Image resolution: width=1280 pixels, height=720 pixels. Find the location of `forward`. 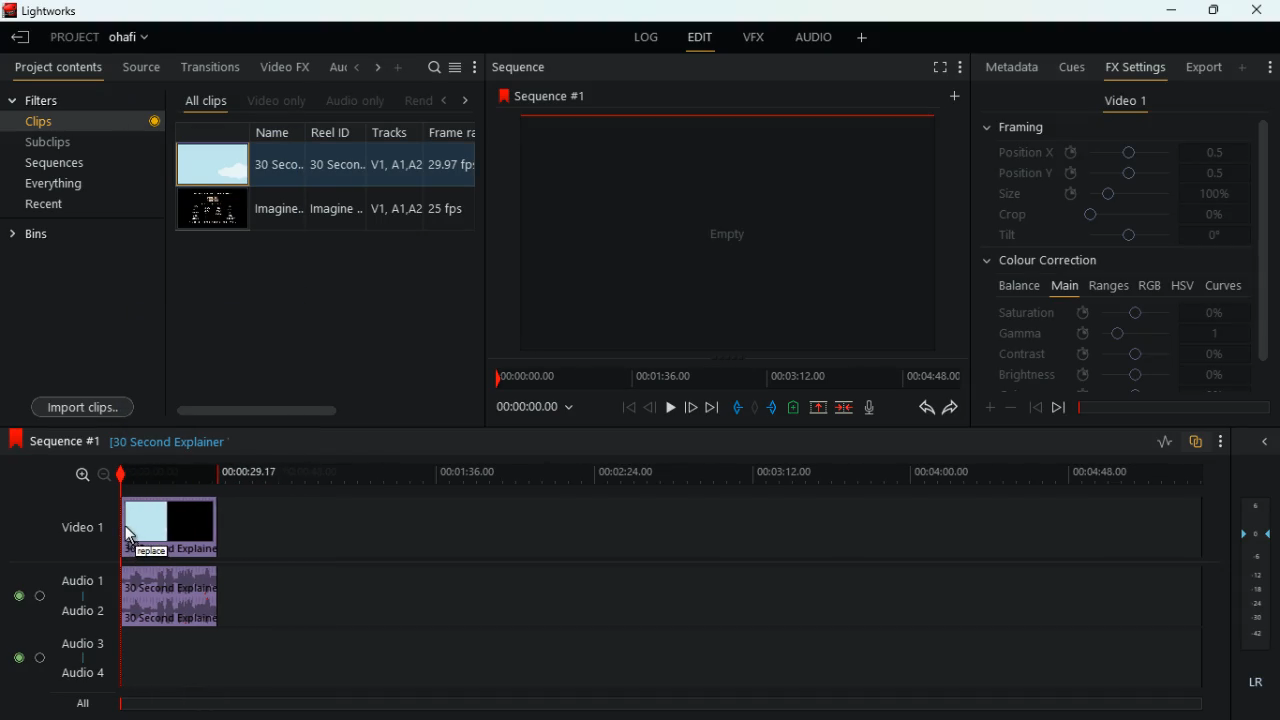

forward is located at coordinates (712, 408).